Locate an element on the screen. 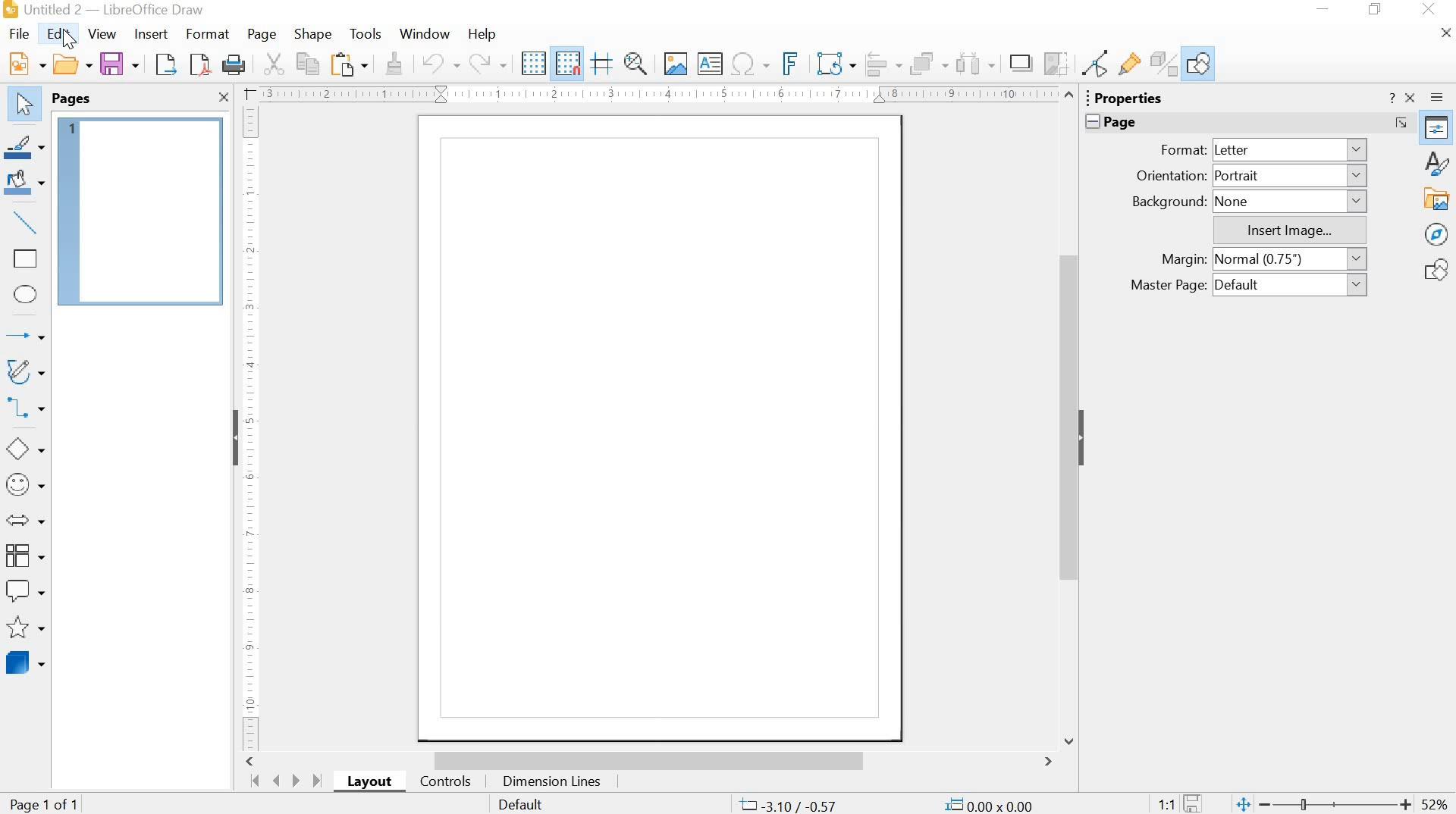 The image size is (1456, 814). Show Draw Functions is located at coordinates (1203, 63).